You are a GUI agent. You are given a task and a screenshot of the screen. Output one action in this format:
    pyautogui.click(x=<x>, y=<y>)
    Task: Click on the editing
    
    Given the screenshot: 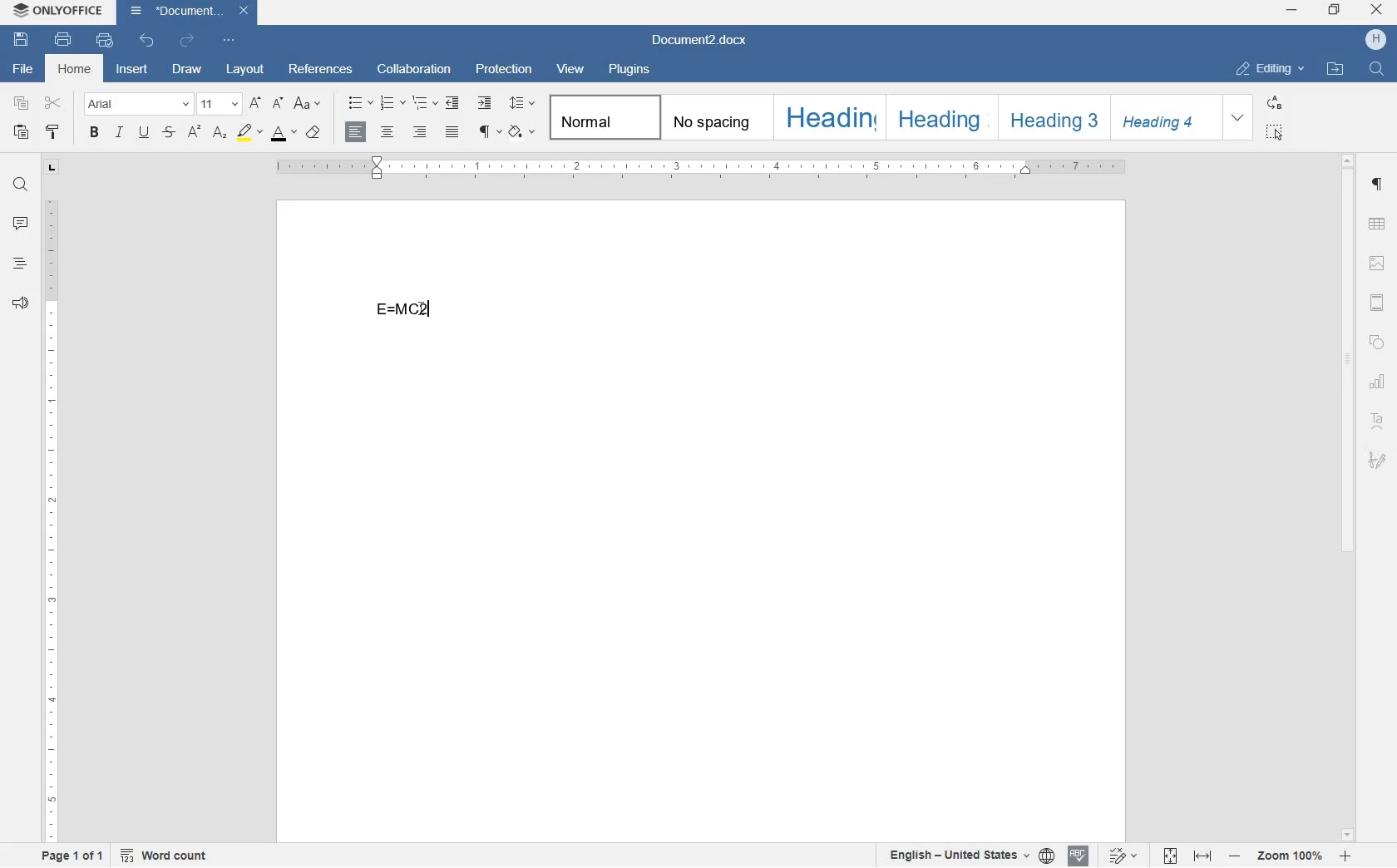 What is the action you would take?
    pyautogui.click(x=1268, y=69)
    